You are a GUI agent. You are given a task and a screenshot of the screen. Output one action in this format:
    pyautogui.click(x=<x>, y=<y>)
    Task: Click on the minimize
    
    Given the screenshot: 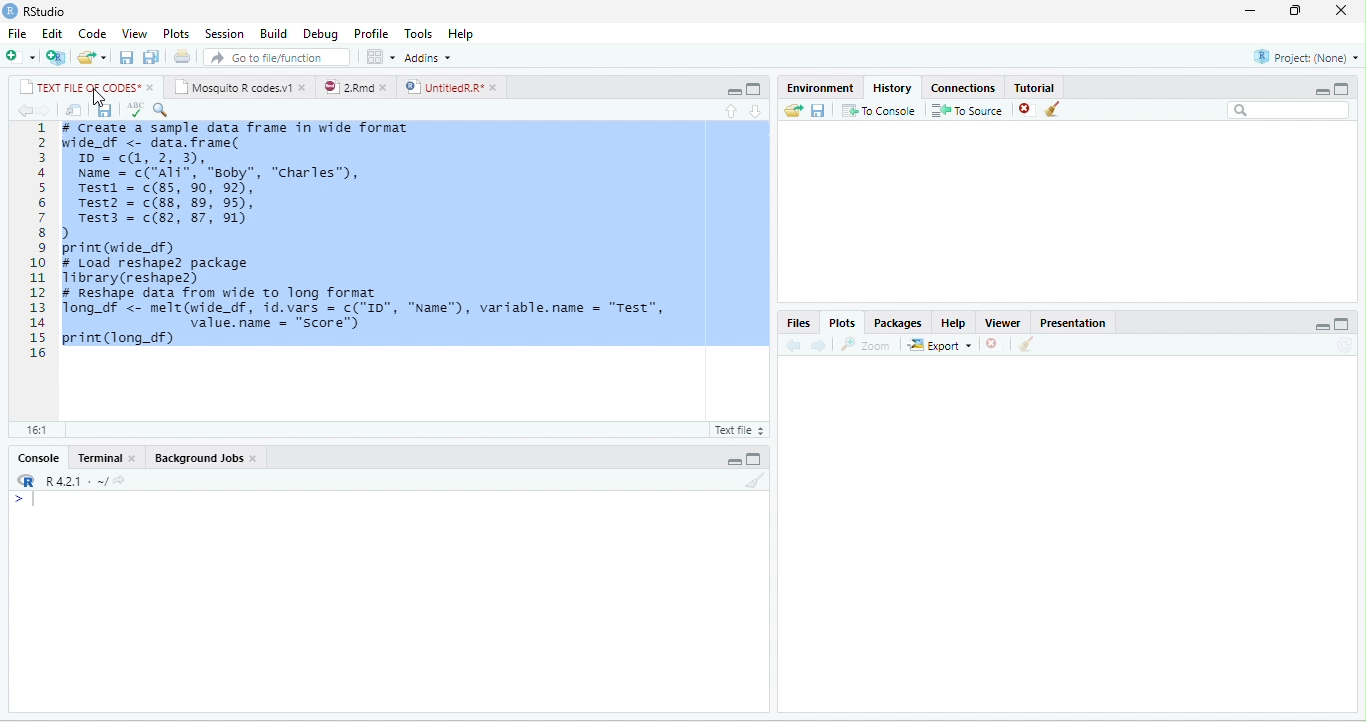 What is the action you would take?
    pyautogui.click(x=734, y=460)
    